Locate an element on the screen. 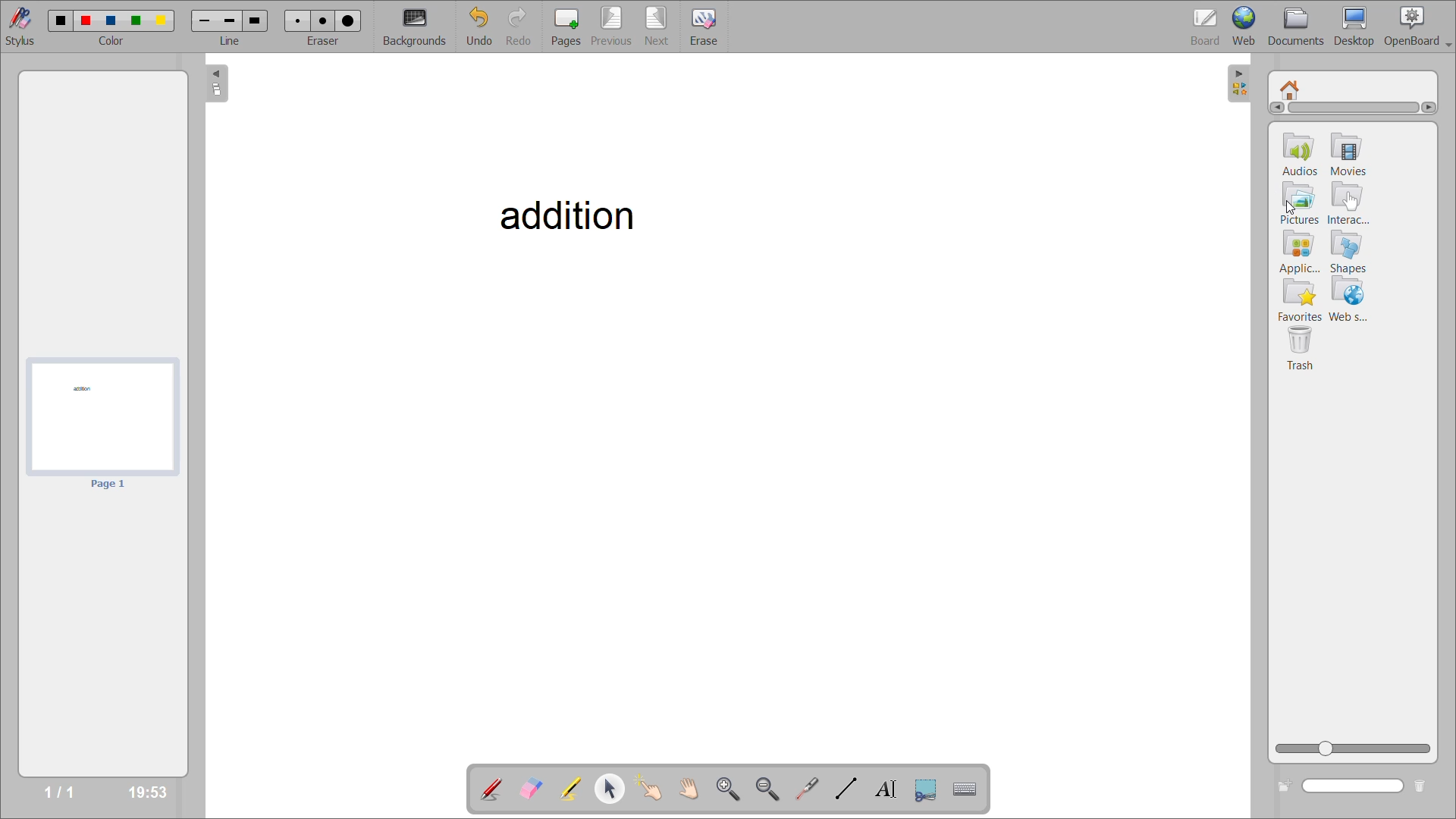  trash is located at coordinates (1302, 348).